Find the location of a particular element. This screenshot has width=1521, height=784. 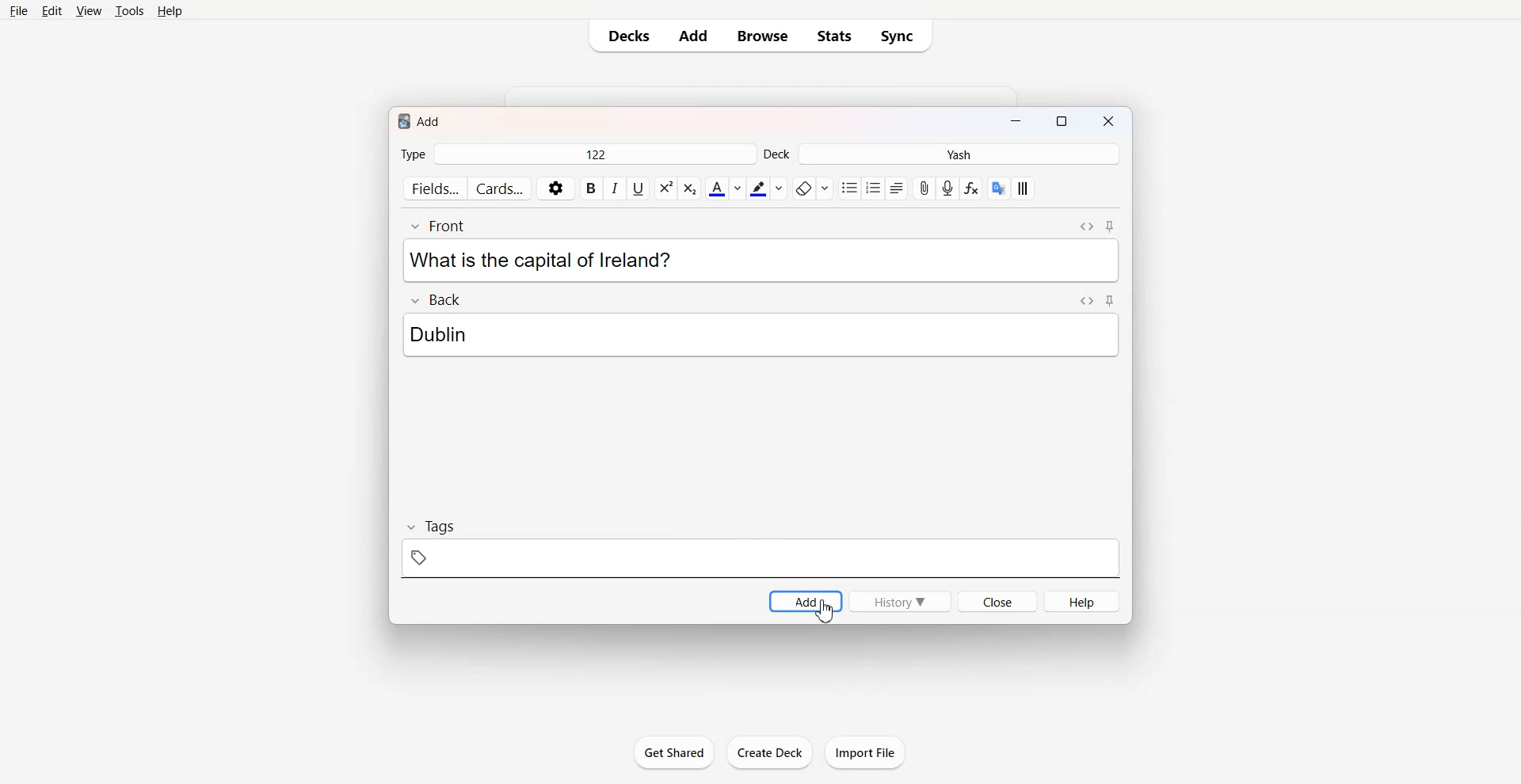

Text is located at coordinates (445, 335).